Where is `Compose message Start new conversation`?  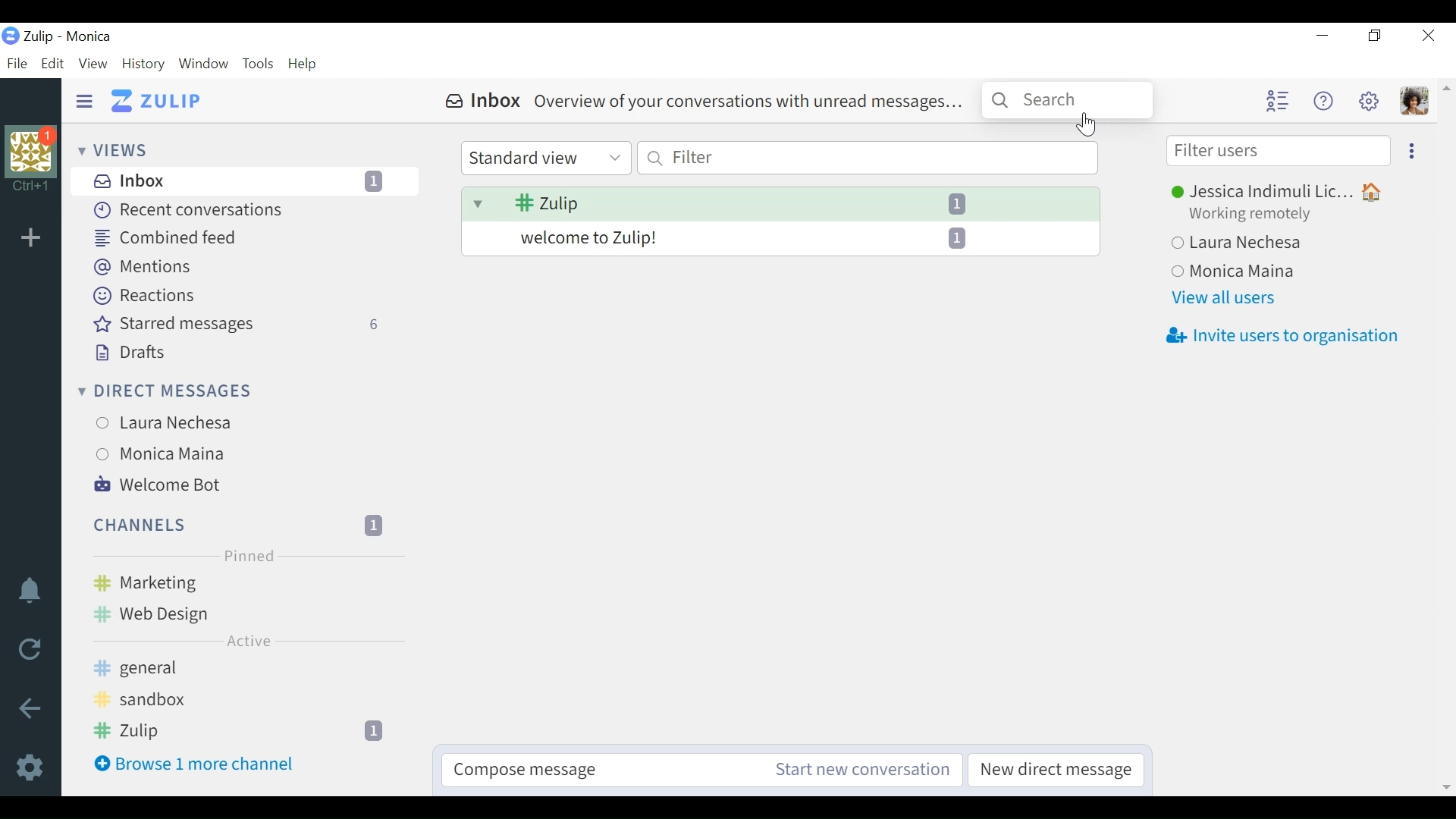
Compose message Start new conversation is located at coordinates (701, 770).